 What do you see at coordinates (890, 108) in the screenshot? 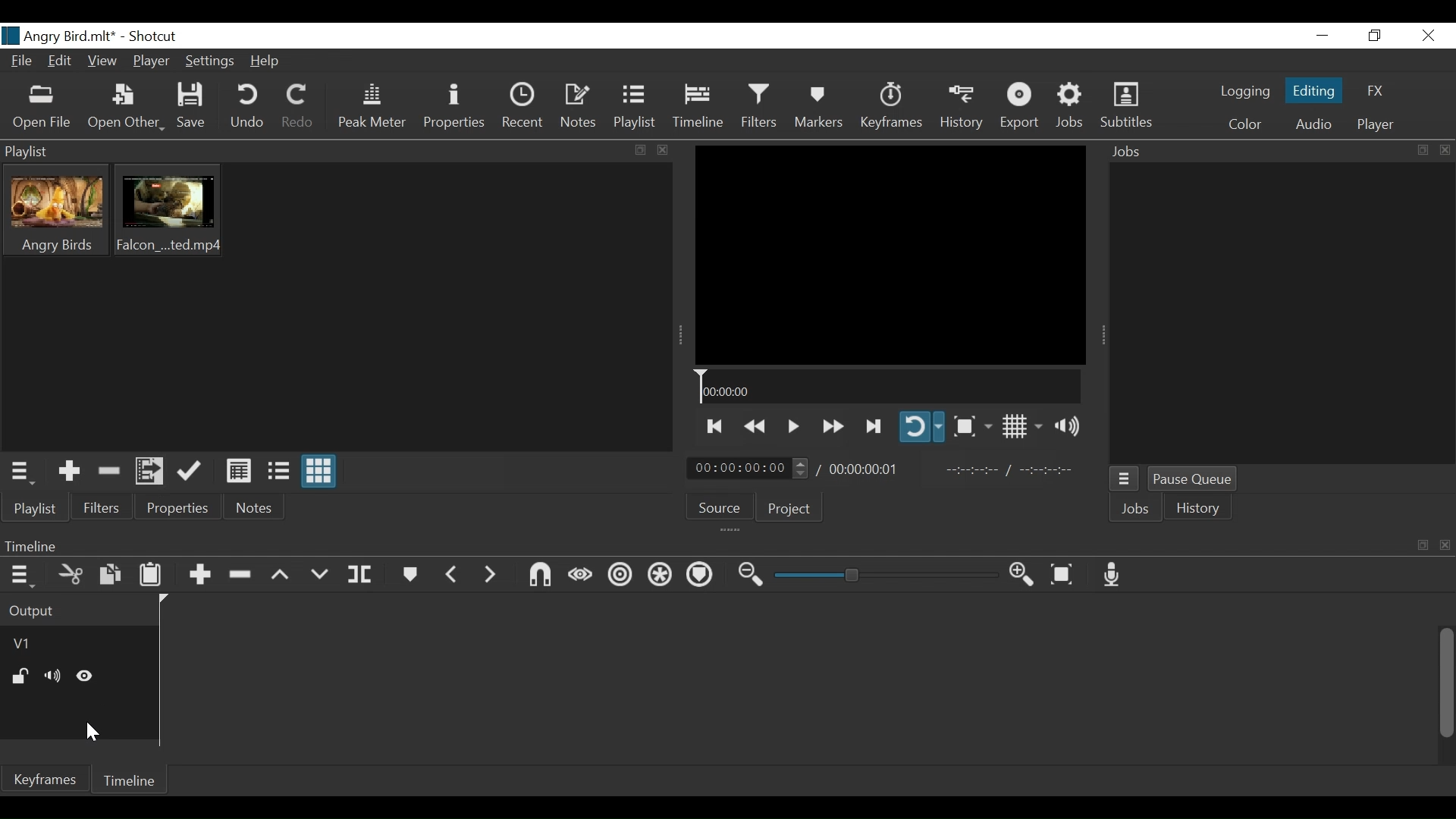
I see `Keyframe` at bounding box center [890, 108].